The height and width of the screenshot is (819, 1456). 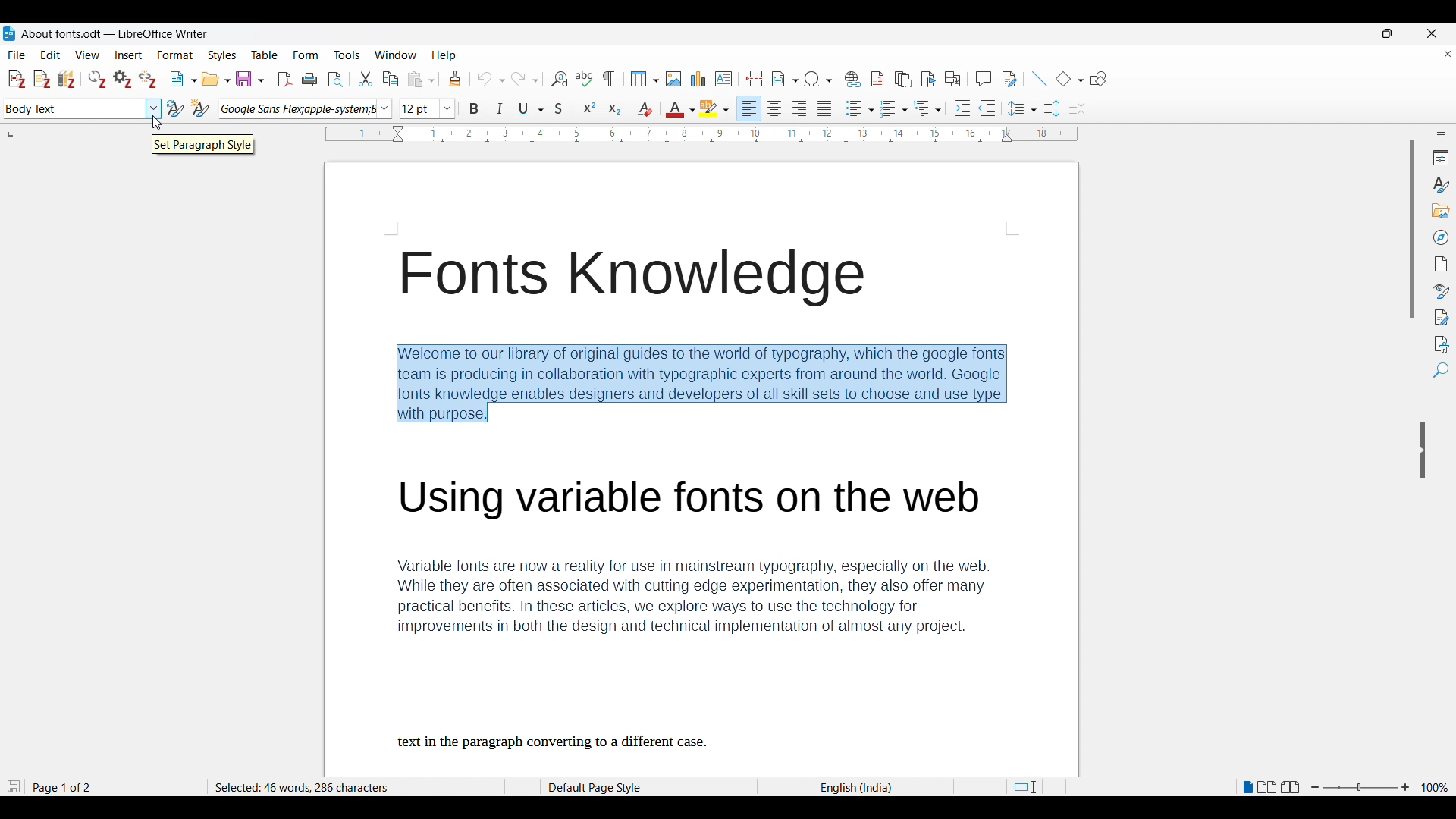 I want to click on Bold, so click(x=474, y=108).